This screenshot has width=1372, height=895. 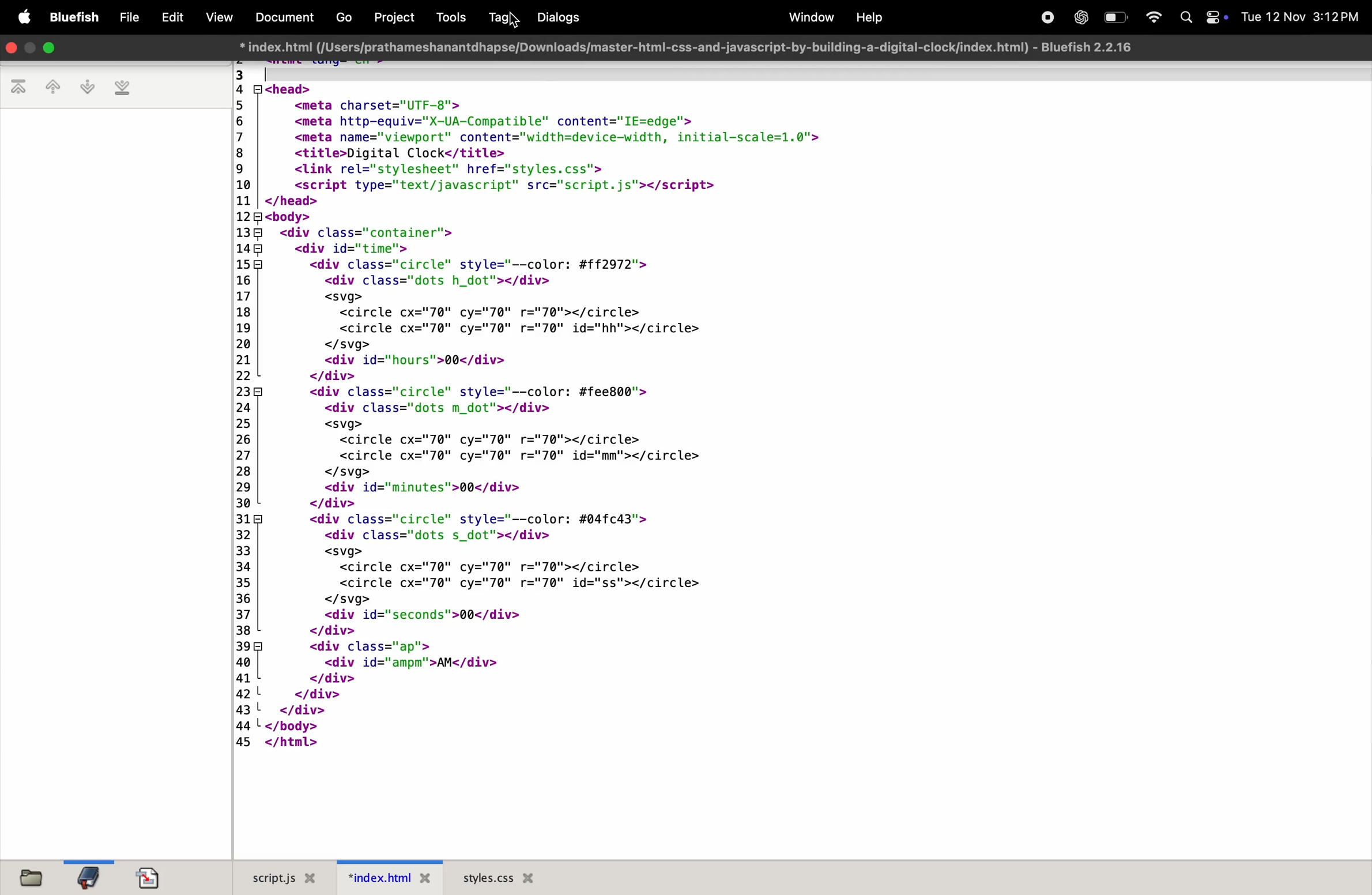 I want to click on tools, so click(x=447, y=17).